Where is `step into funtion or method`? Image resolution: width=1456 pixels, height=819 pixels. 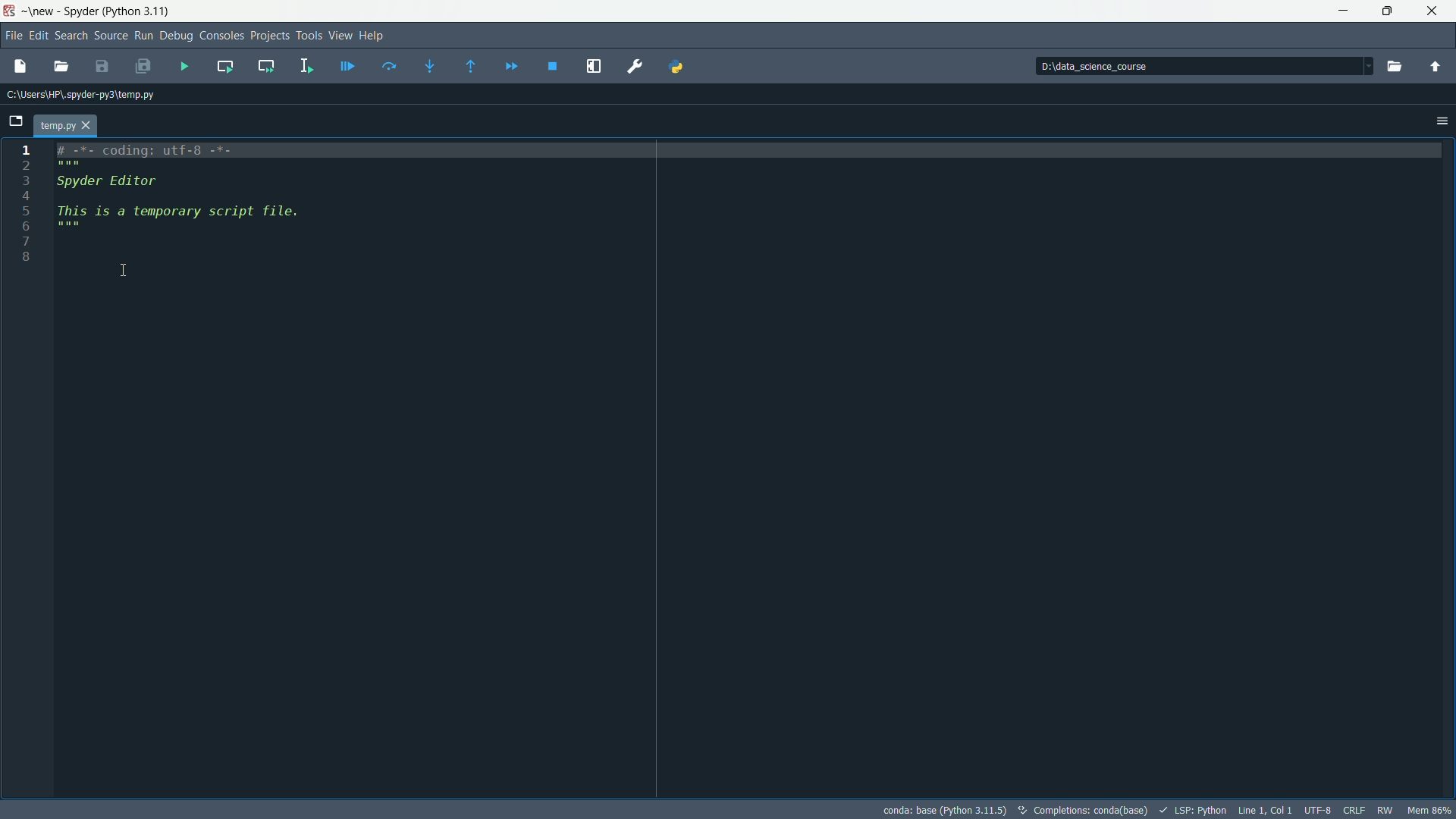 step into funtion or method is located at coordinates (436, 66).